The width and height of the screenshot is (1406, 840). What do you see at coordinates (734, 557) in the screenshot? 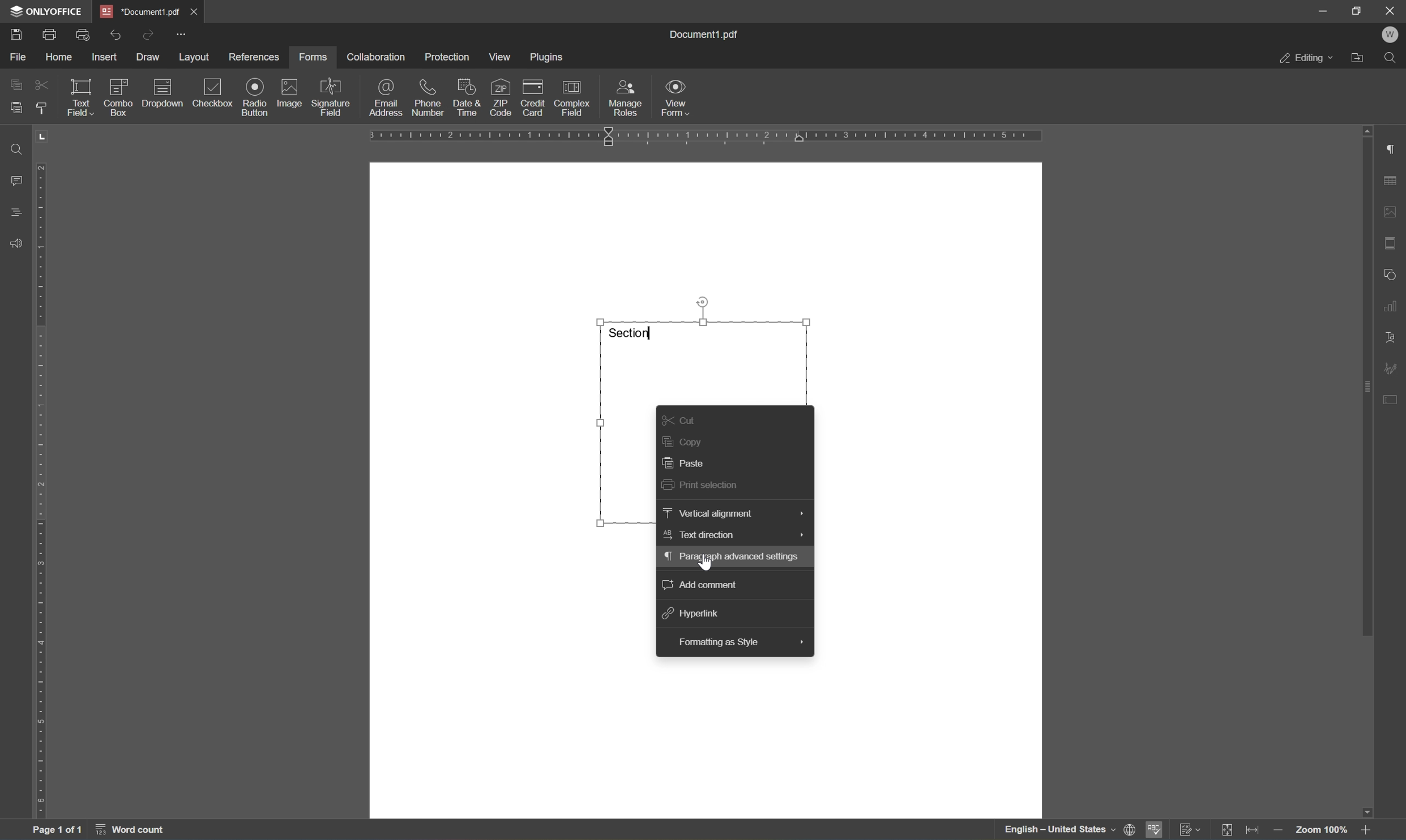
I see `paragraph advanced settings with active cursor` at bounding box center [734, 557].